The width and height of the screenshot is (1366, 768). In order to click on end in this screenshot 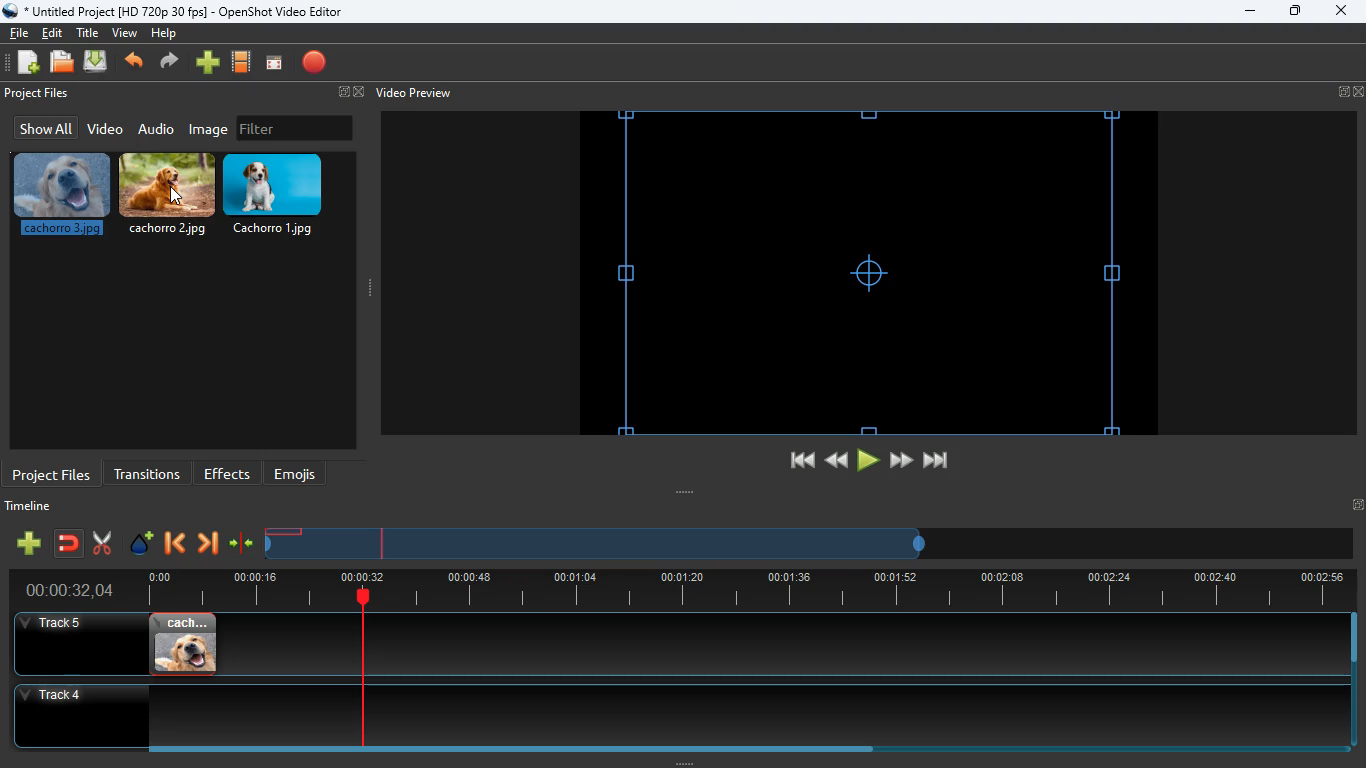, I will do `click(938, 464)`.